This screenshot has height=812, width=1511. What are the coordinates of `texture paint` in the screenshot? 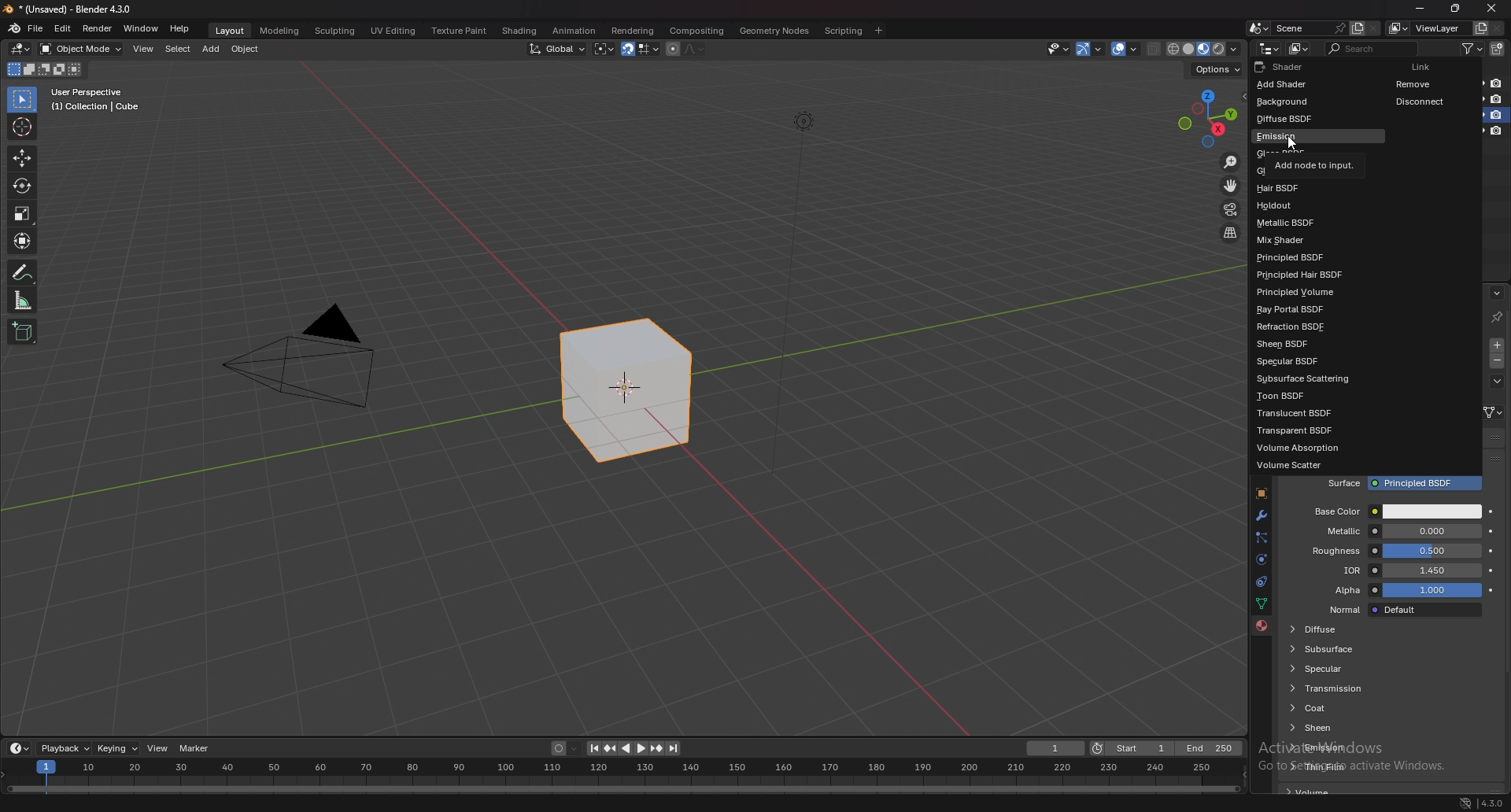 It's located at (457, 31).